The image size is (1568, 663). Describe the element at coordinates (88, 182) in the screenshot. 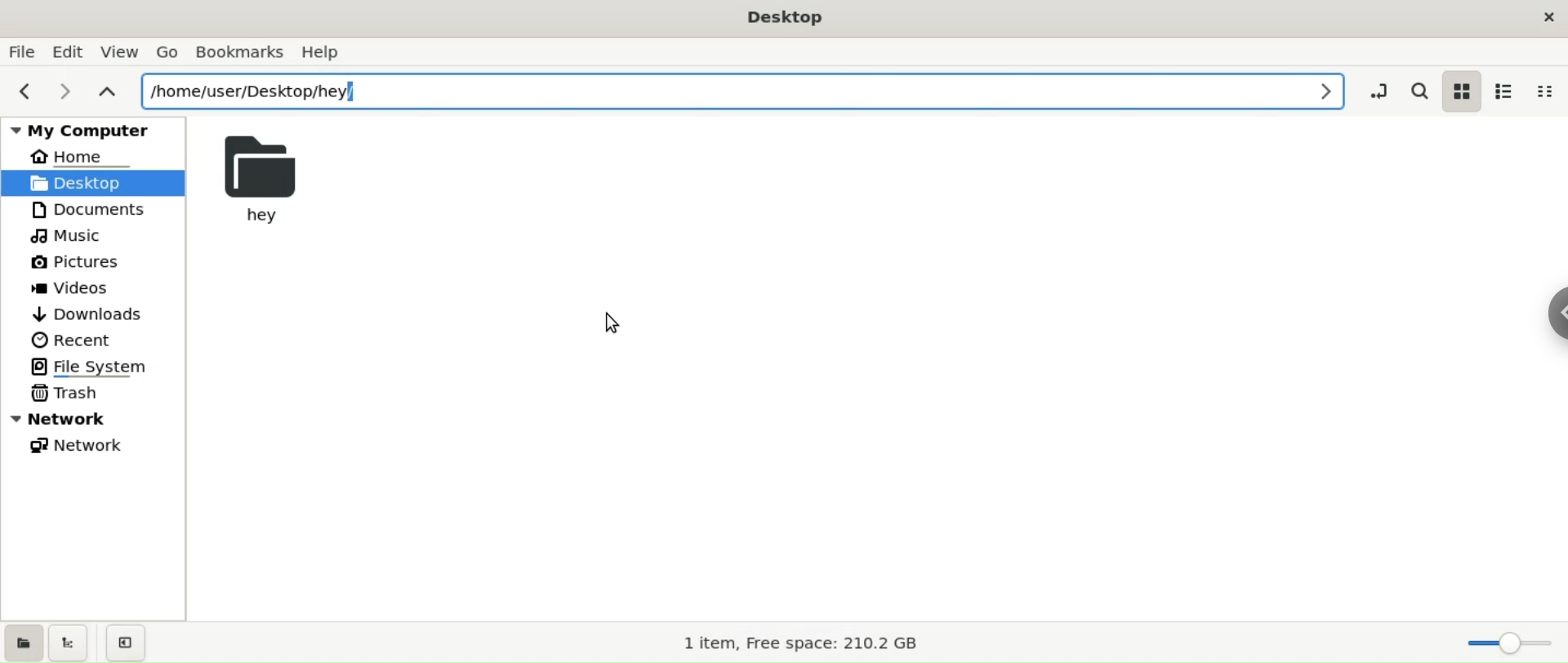

I see `desktop` at that location.